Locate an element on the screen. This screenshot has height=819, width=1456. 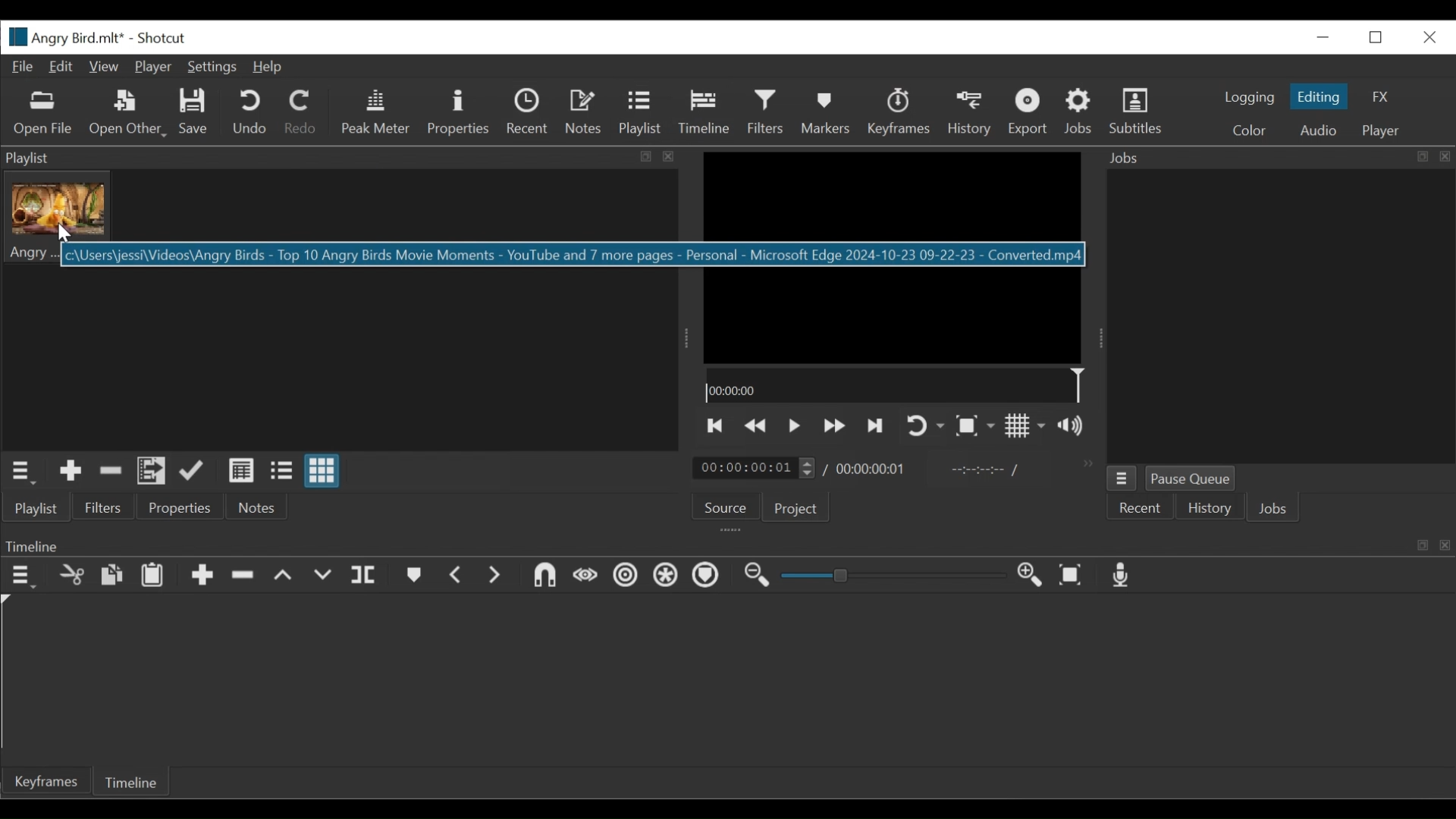
Markers is located at coordinates (413, 576).